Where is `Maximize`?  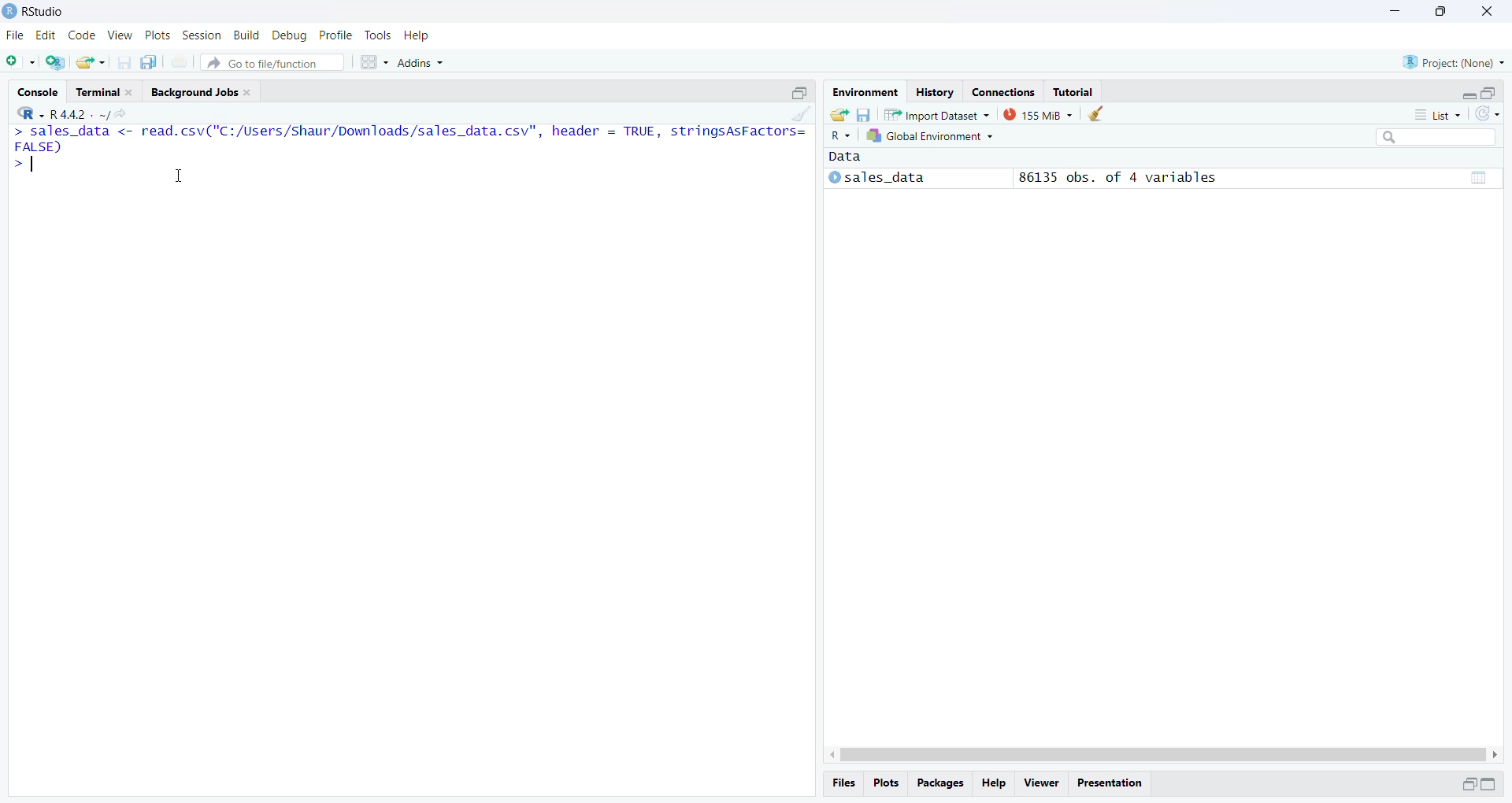 Maximize is located at coordinates (1489, 94).